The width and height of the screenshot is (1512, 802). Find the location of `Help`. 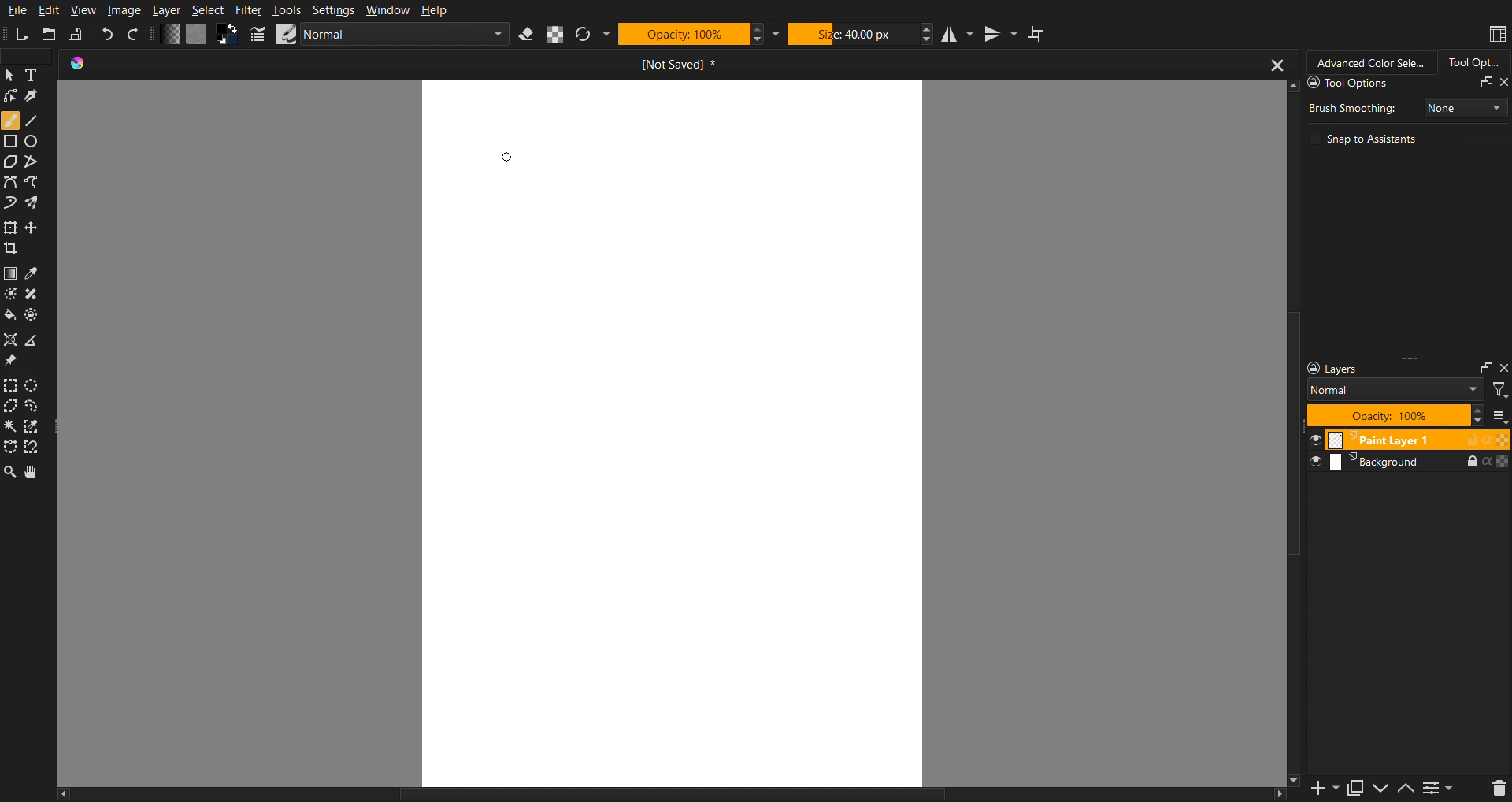

Help is located at coordinates (435, 9).